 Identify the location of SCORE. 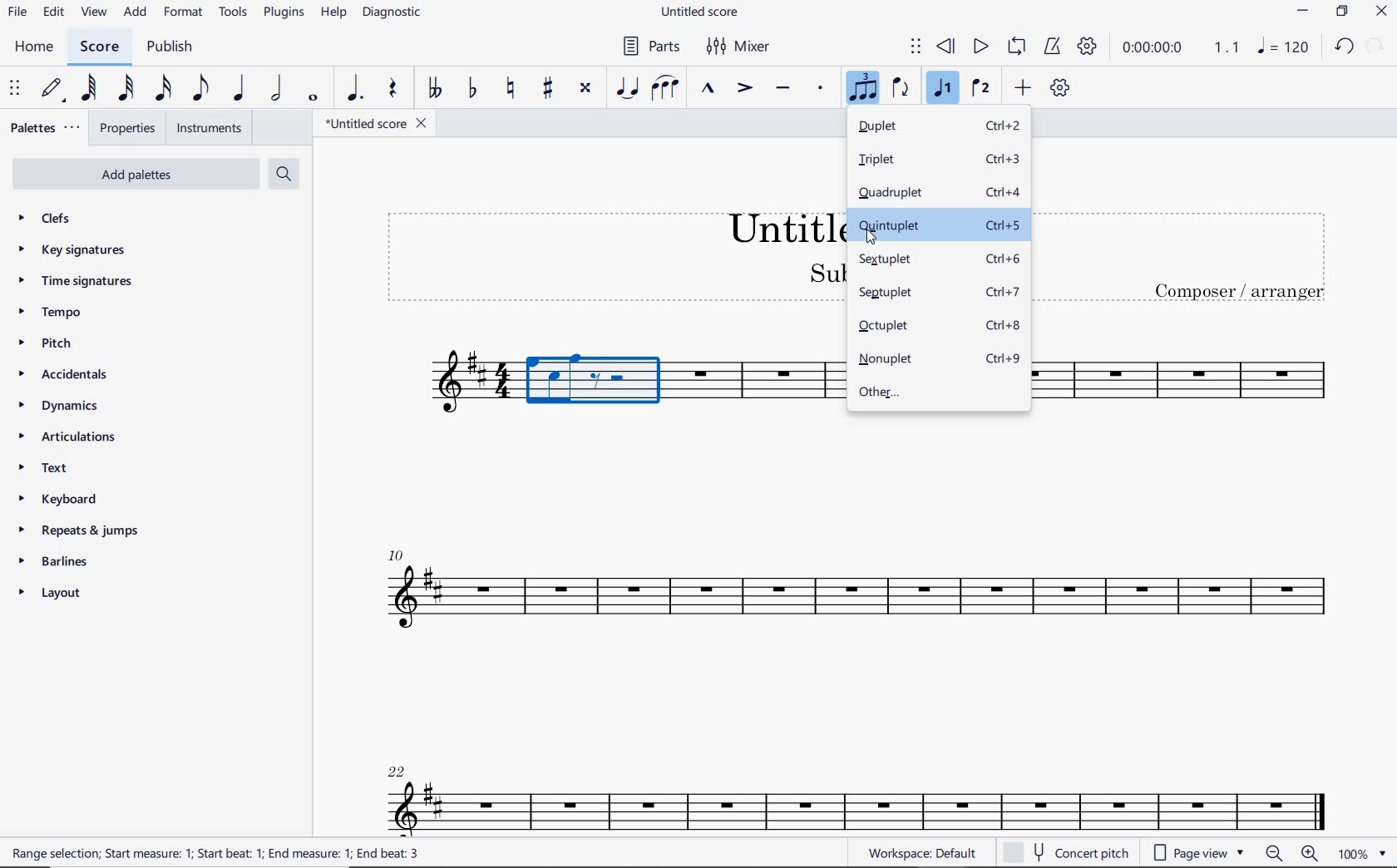
(99, 47).